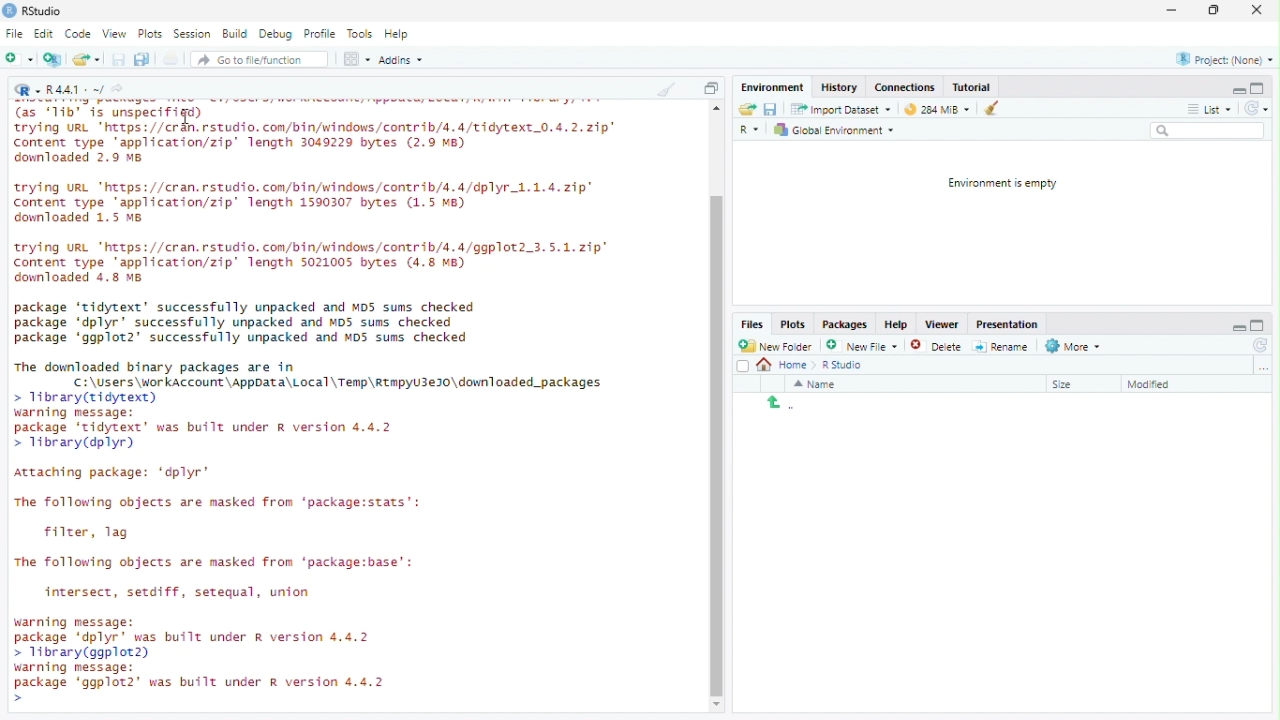  What do you see at coordinates (1209, 107) in the screenshot?
I see `List` at bounding box center [1209, 107].